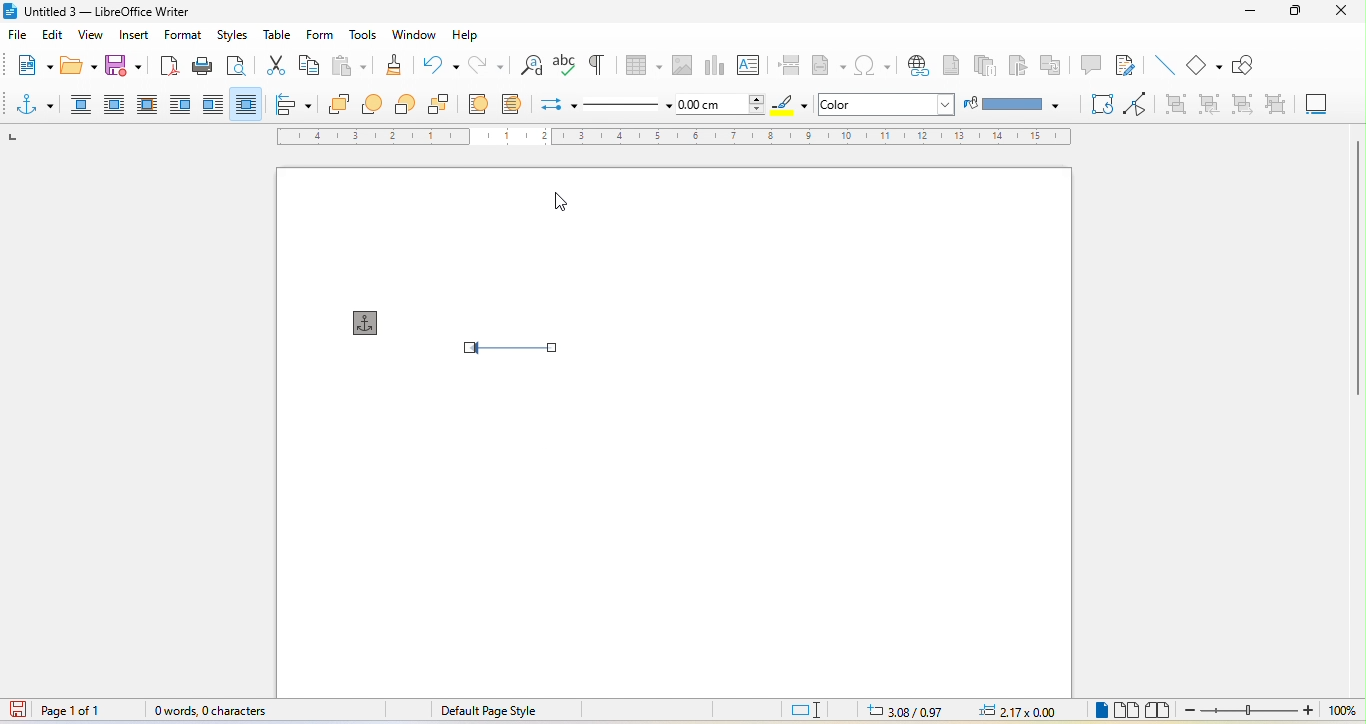  Describe the element at coordinates (489, 64) in the screenshot. I see `redo` at that location.